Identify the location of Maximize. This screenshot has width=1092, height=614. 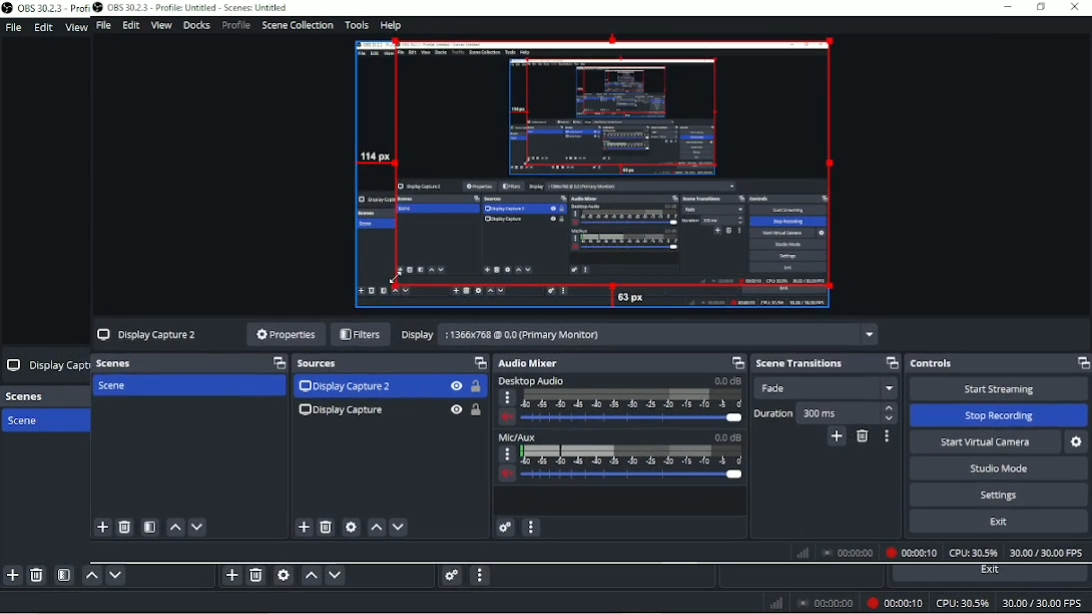
(892, 363).